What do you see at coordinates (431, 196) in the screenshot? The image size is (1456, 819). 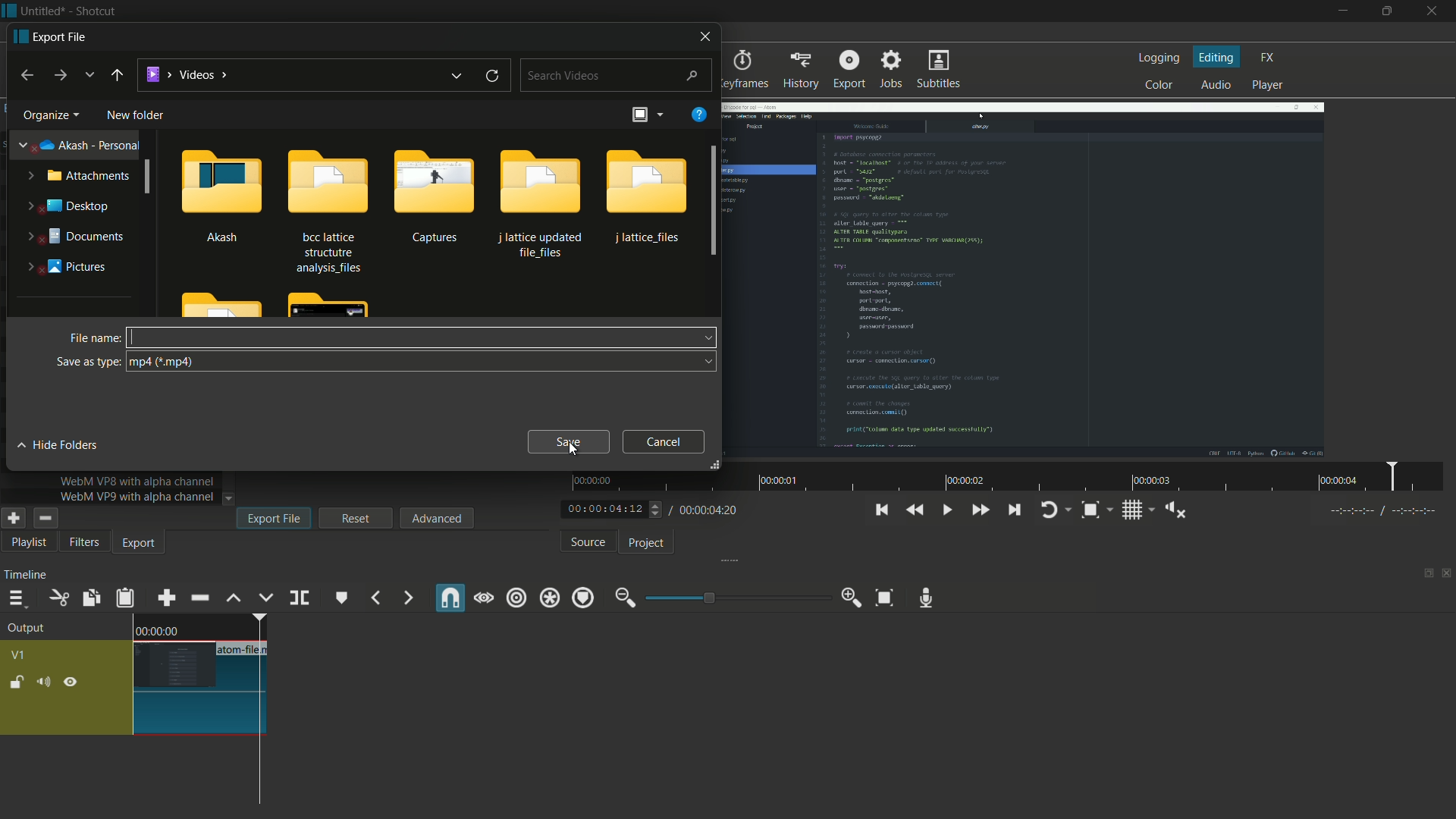 I see `folder-3` at bounding box center [431, 196].